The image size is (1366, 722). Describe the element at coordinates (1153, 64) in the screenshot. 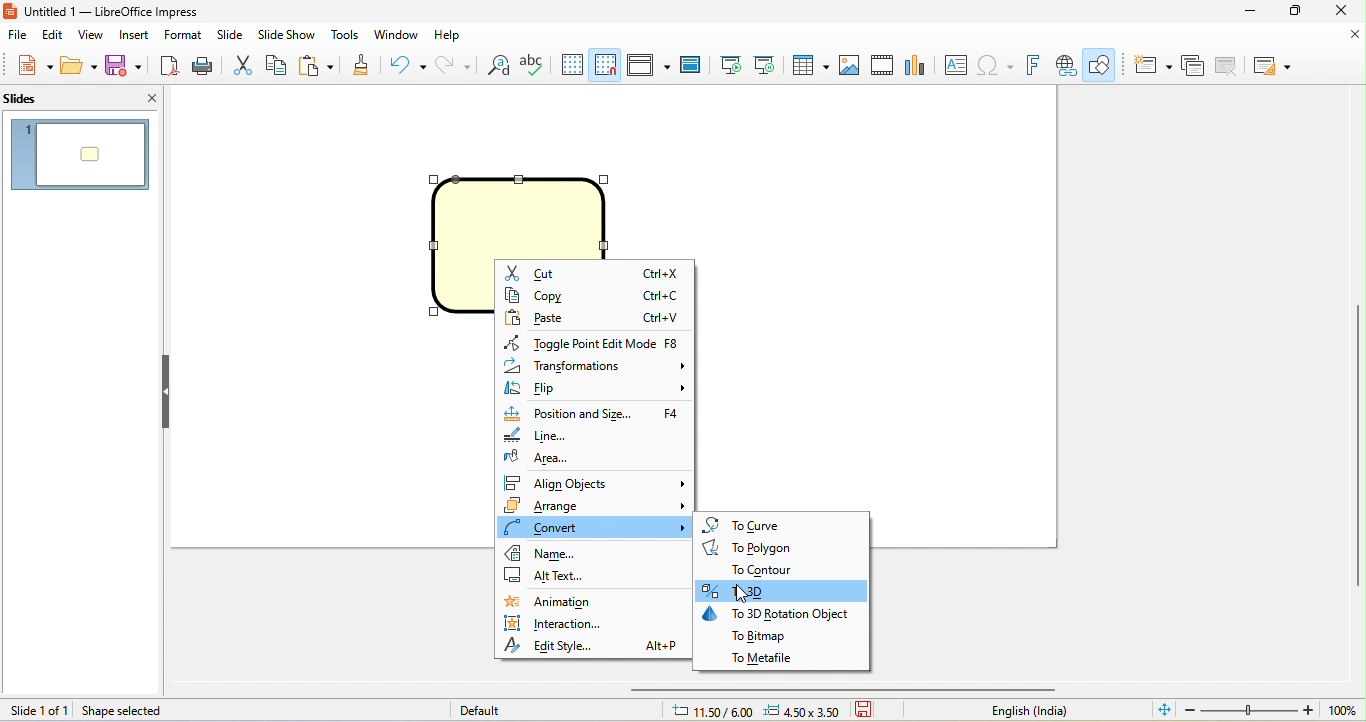

I see `new slide` at that location.